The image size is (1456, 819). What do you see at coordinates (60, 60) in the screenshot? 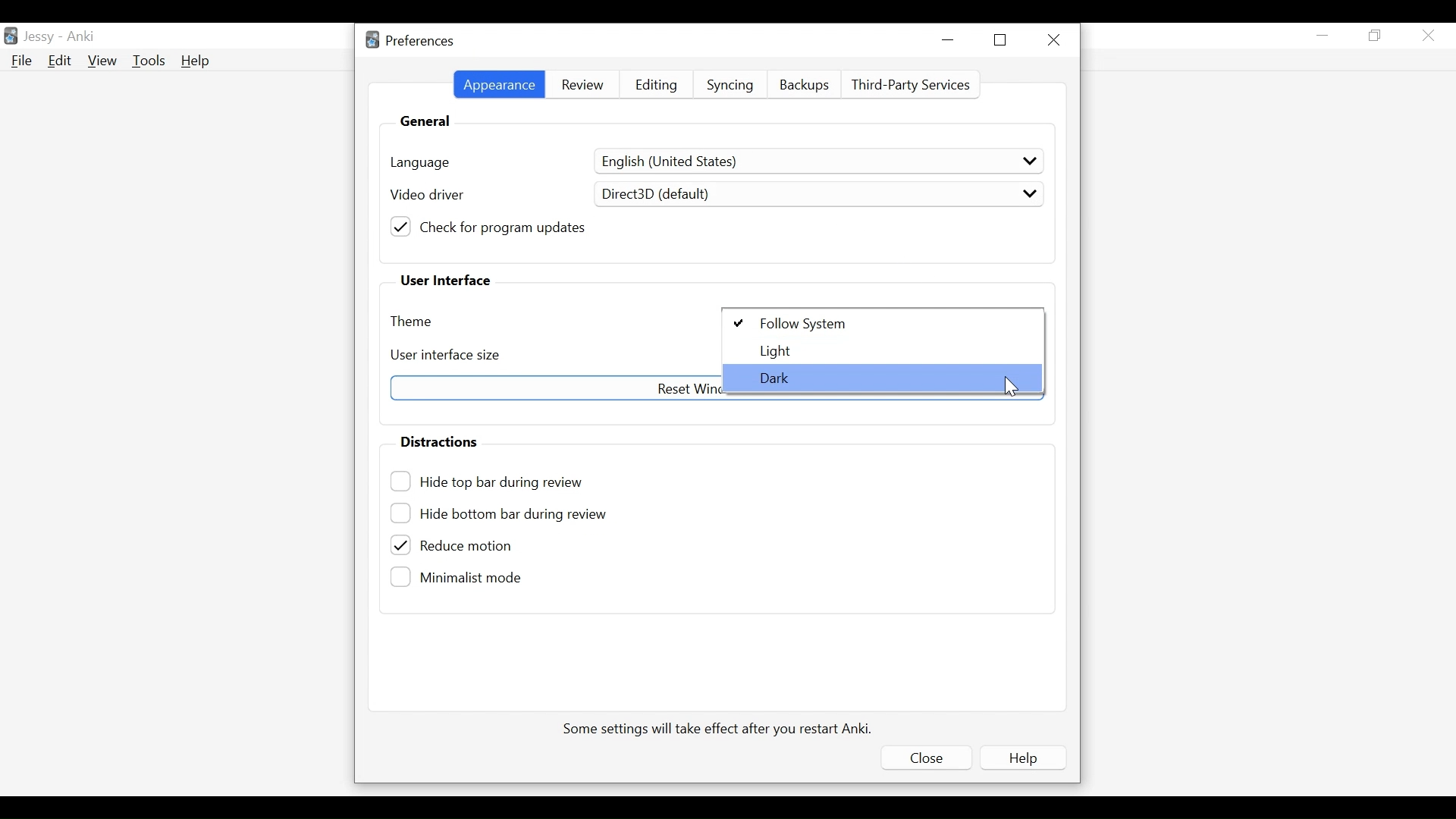
I see `Edit` at bounding box center [60, 60].